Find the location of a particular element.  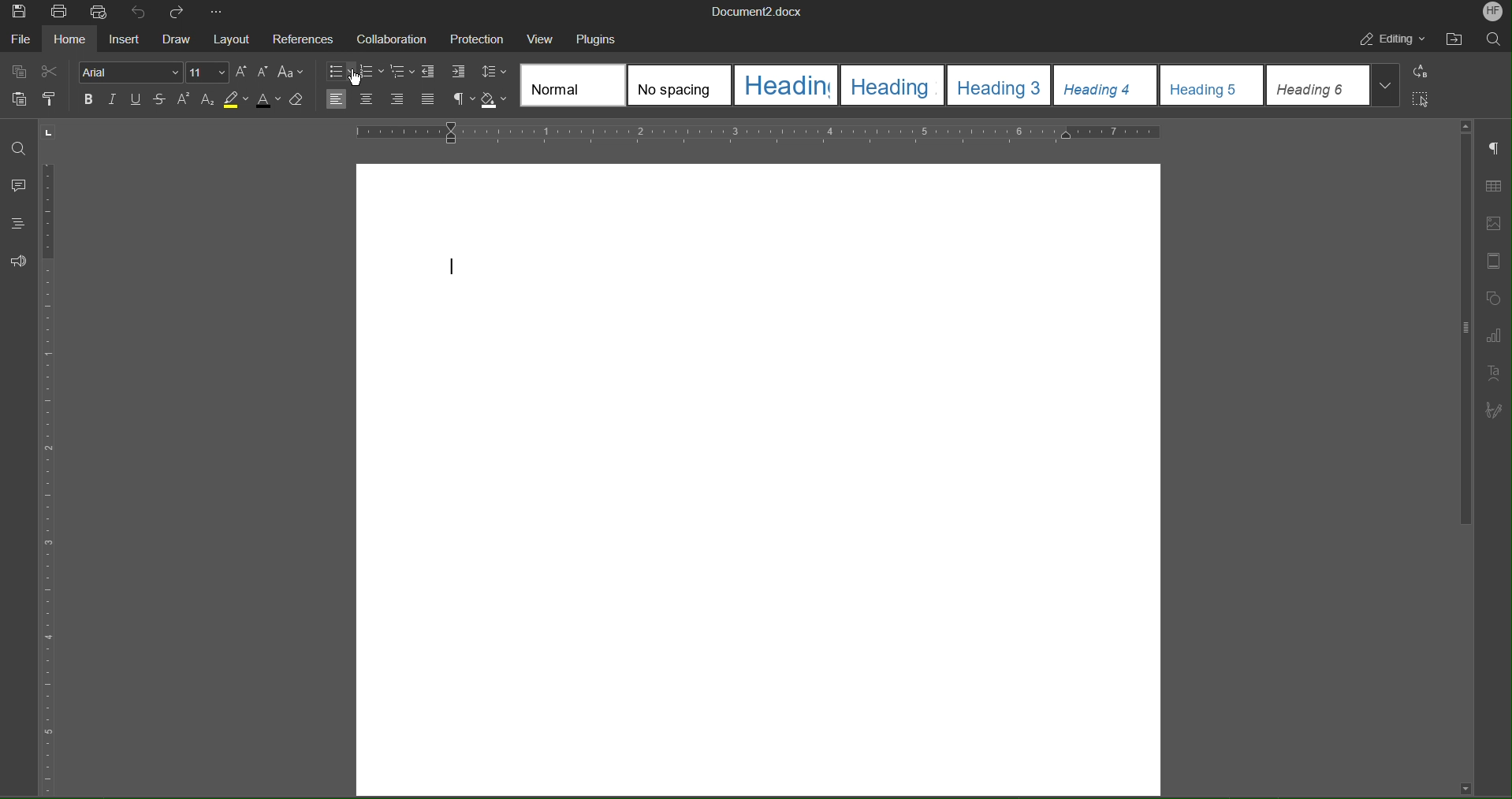

Horizontal Ruler is located at coordinates (759, 132).